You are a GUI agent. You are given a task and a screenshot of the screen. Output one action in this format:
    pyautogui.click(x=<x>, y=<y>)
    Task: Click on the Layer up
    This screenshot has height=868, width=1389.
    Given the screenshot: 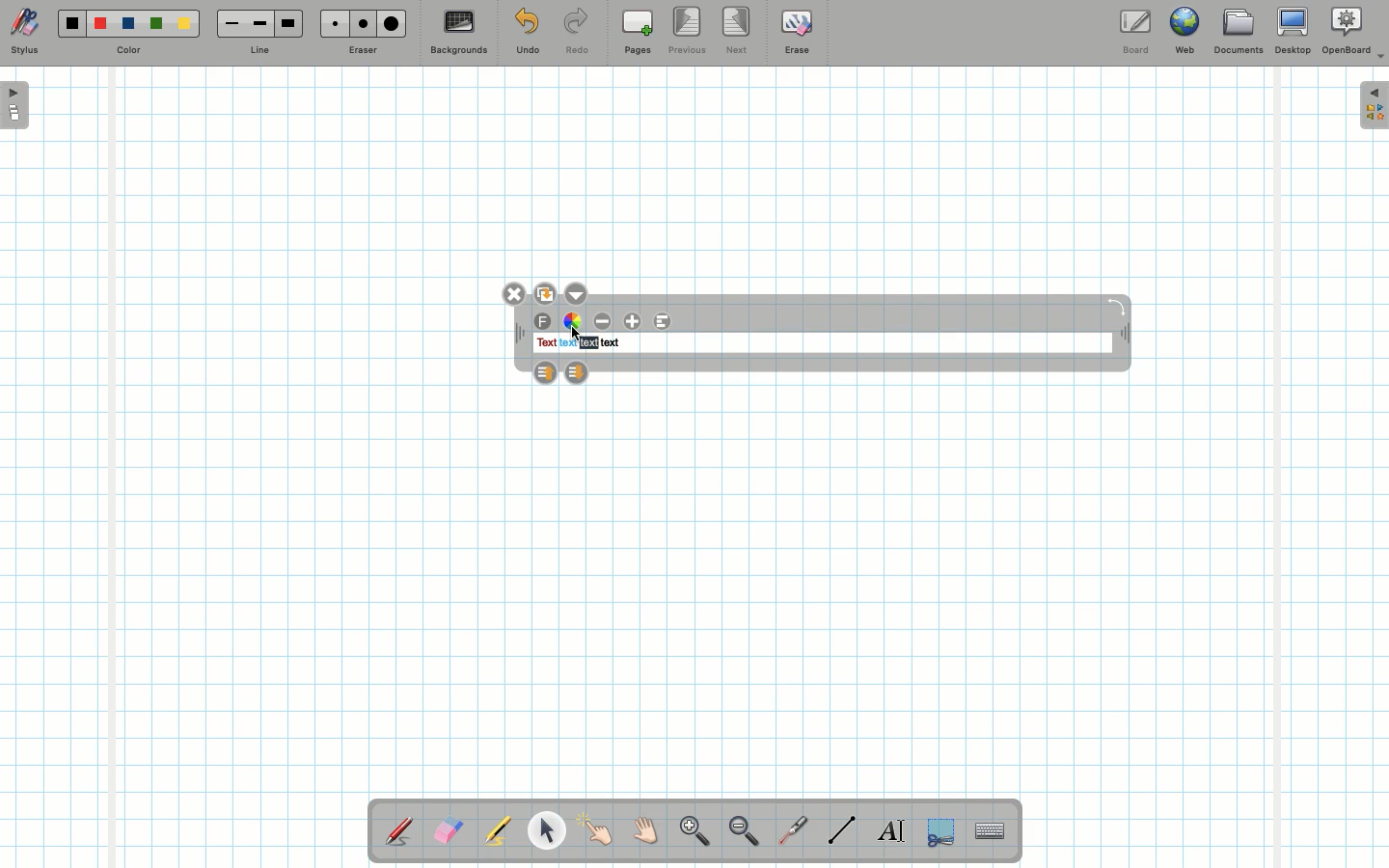 What is the action you would take?
    pyautogui.click(x=543, y=371)
    